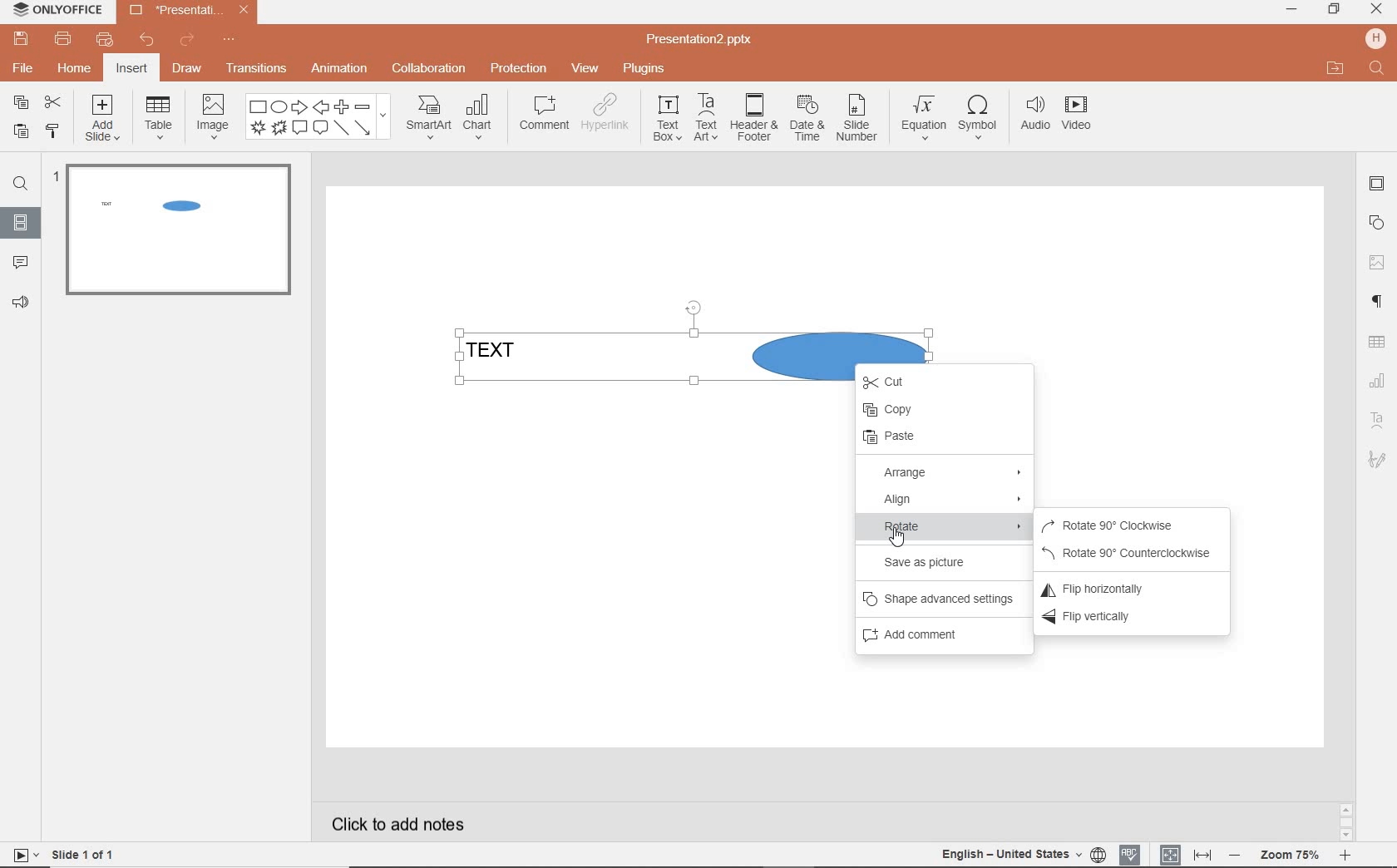  I want to click on undo, so click(141, 41).